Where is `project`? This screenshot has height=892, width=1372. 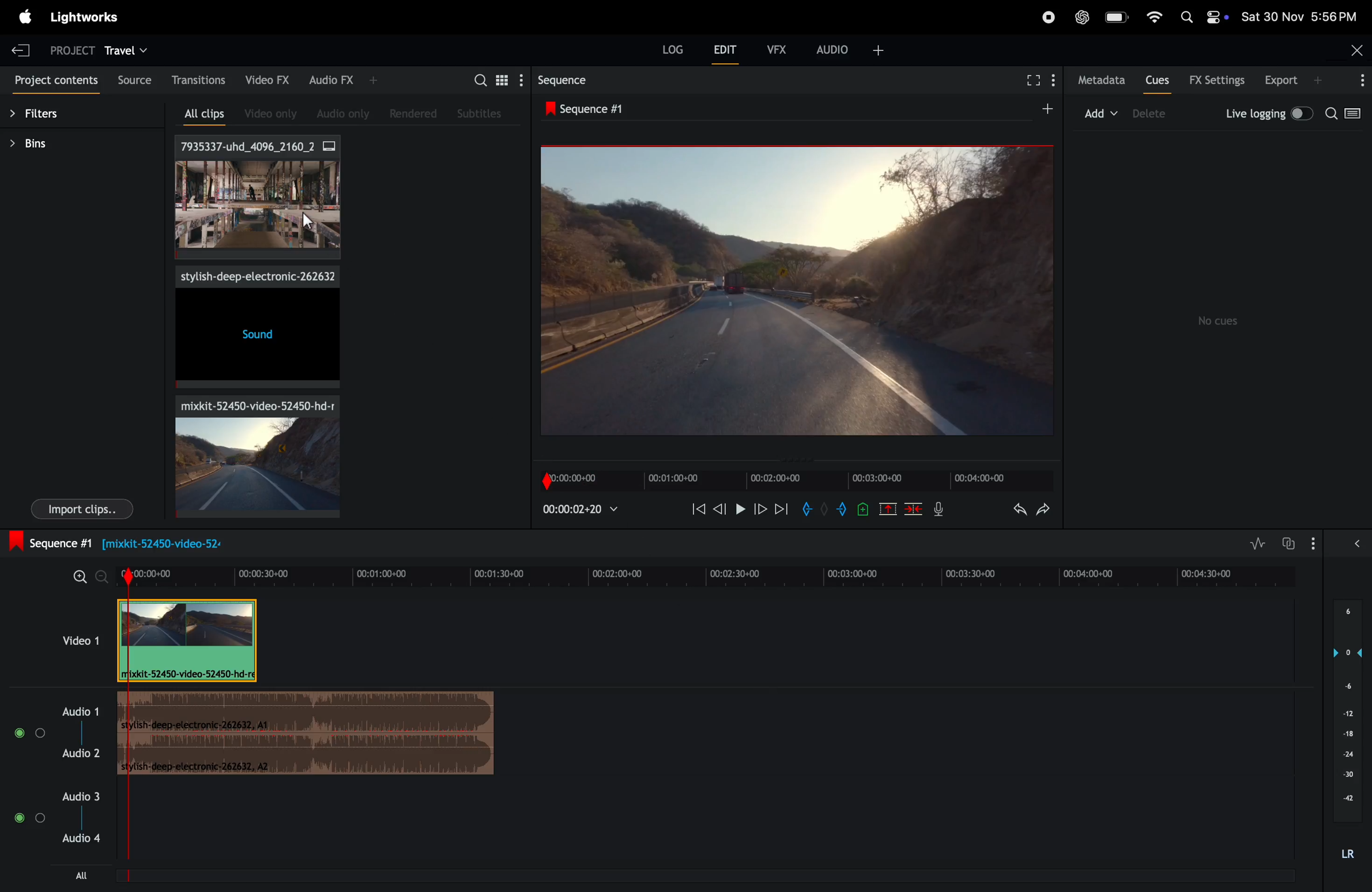
project is located at coordinates (66, 48).